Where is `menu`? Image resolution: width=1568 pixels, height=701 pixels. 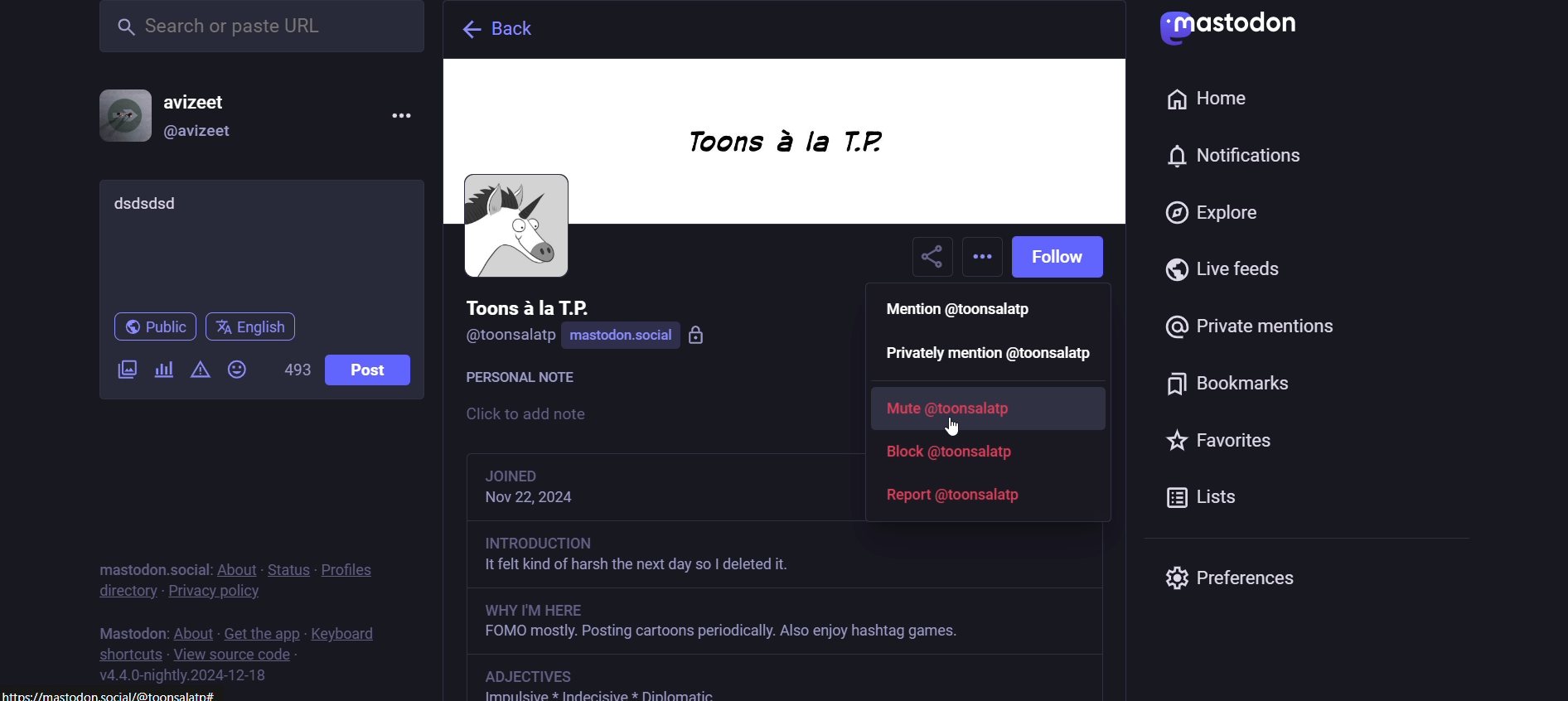 menu is located at coordinates (985, 259).